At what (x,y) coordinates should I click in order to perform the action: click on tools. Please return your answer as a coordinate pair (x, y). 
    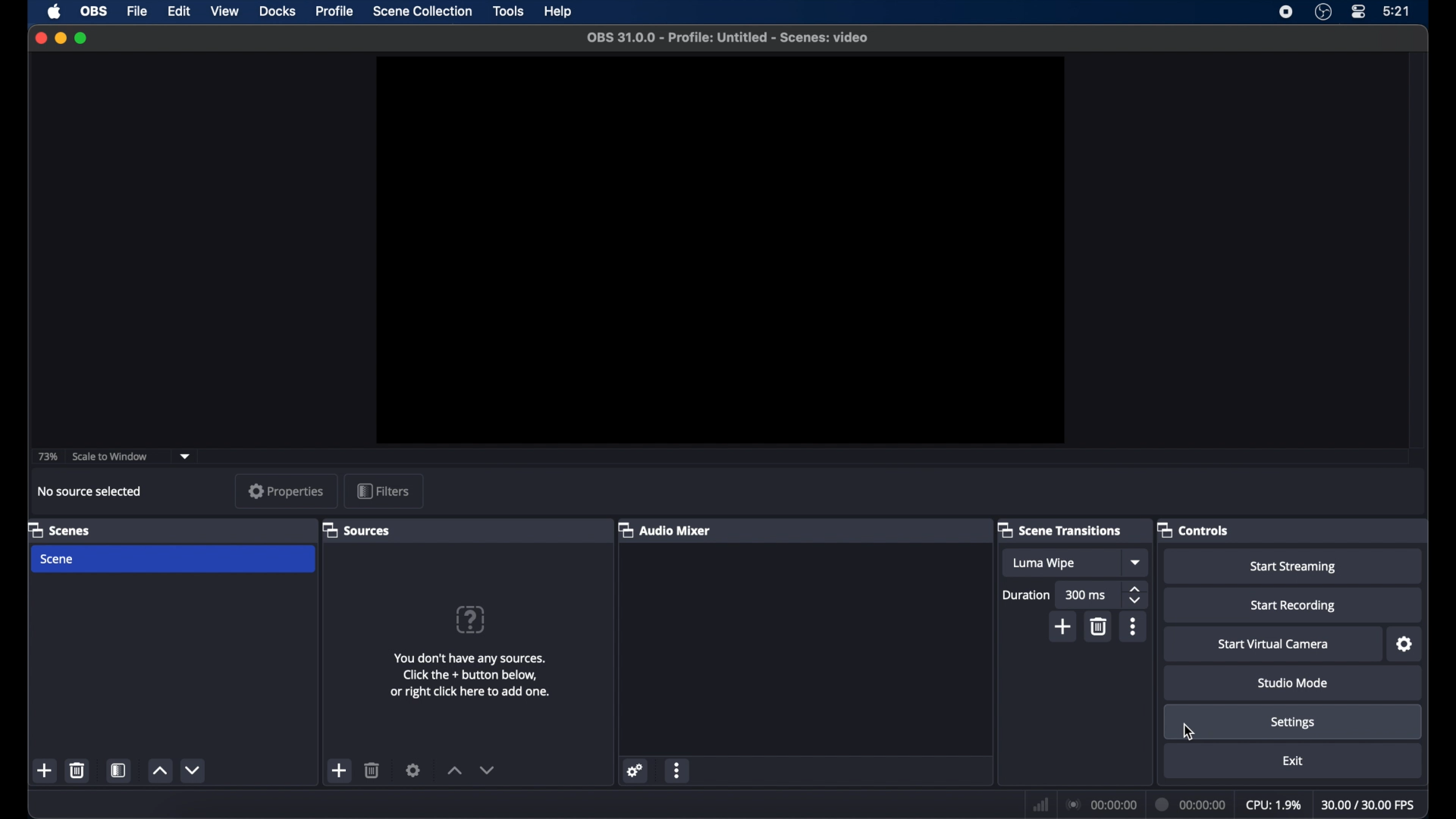
    Looking at the image, I should click on (510, 11).